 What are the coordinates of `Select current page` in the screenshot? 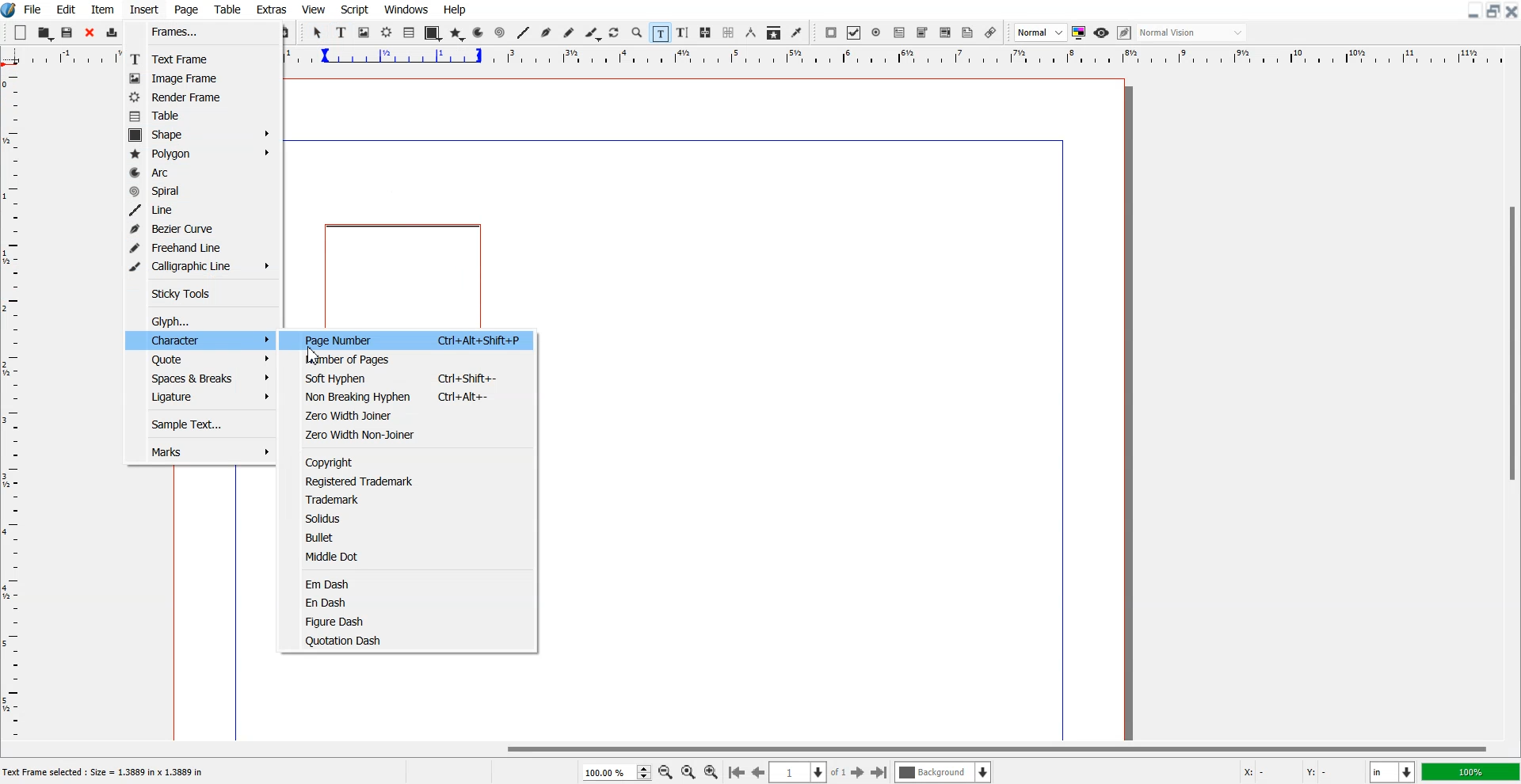 It's located at (808, 772).